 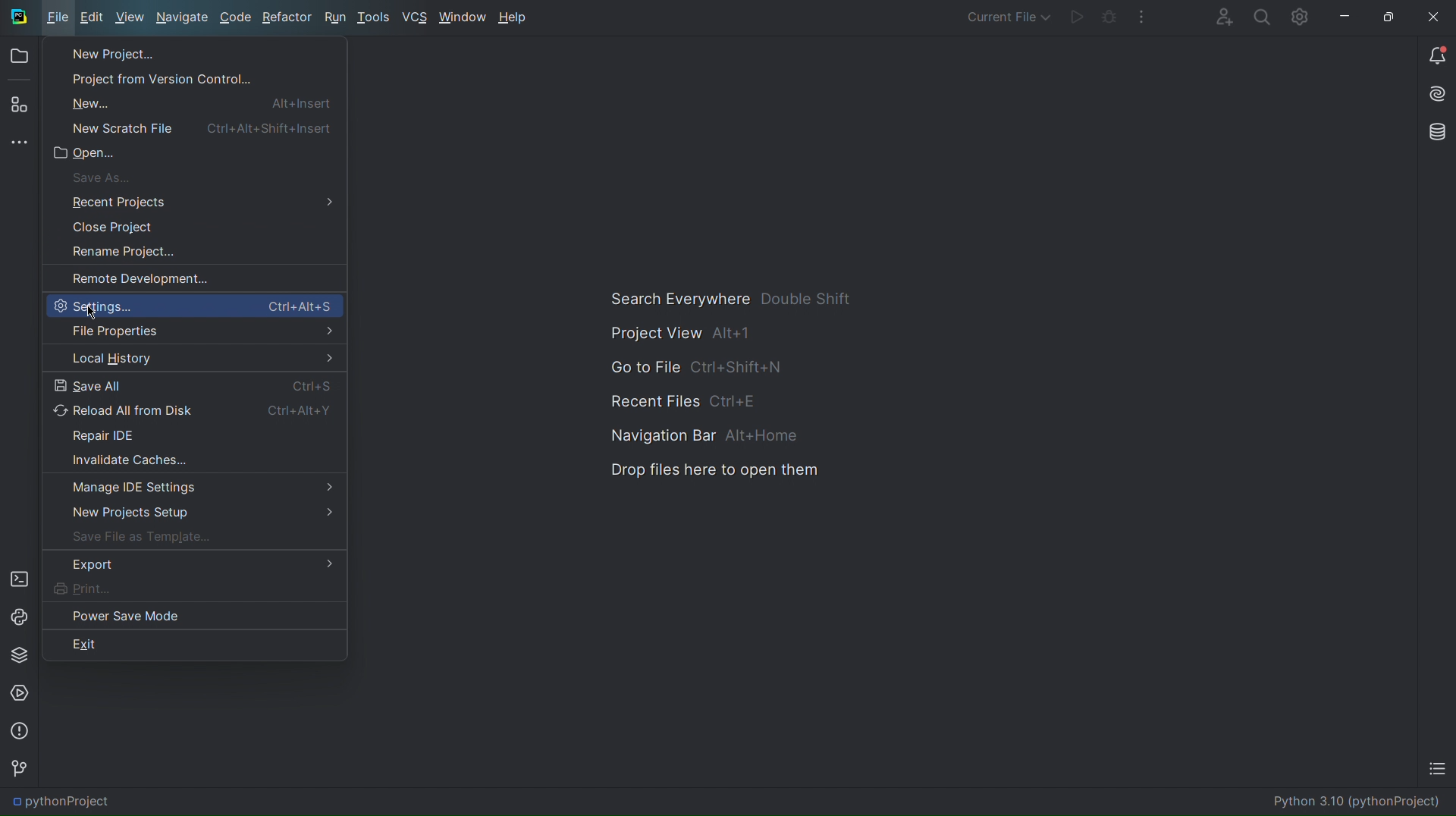 I want to click on Services, so click(x=21, y=693).